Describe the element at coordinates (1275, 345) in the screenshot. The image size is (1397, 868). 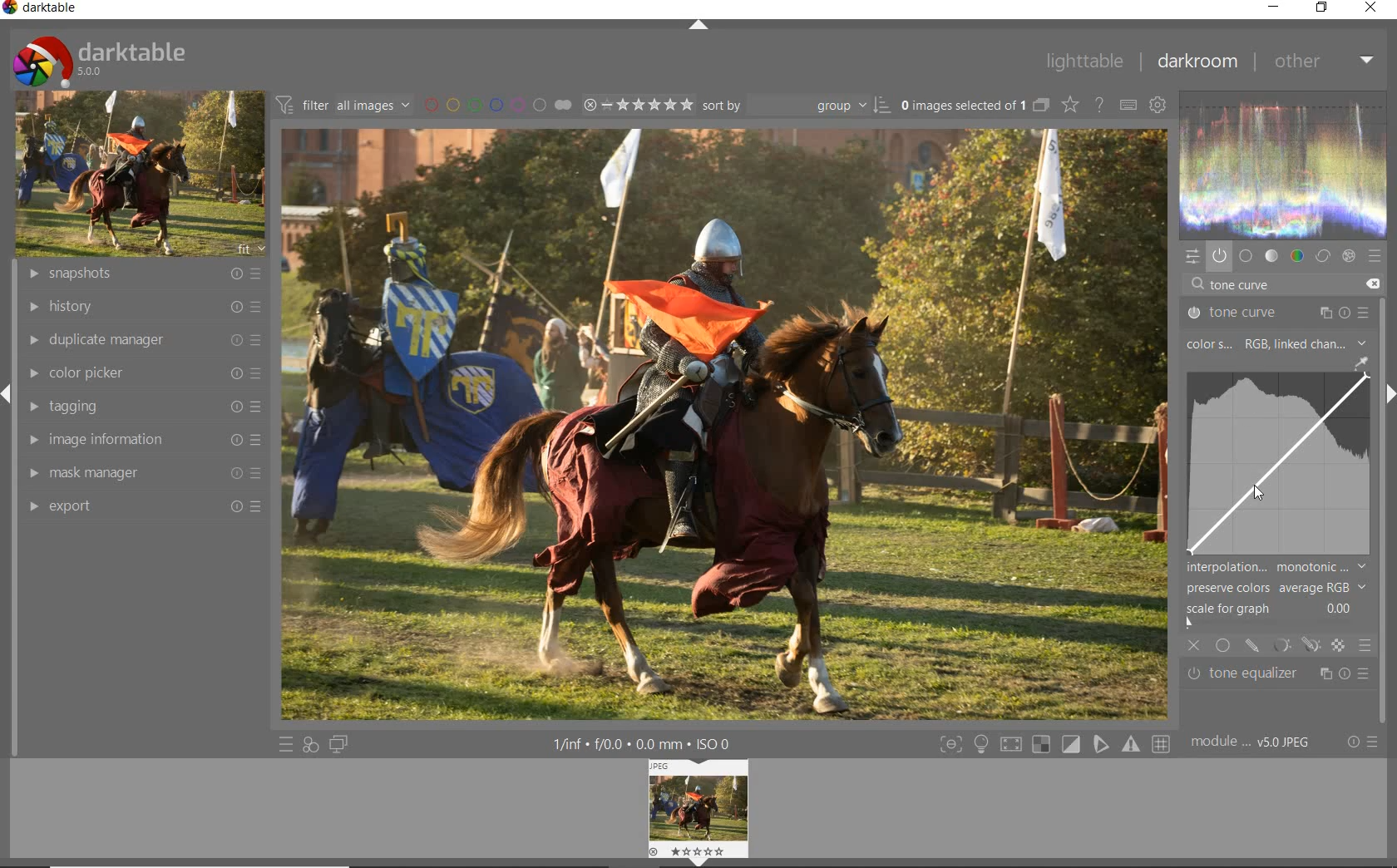
I see `color space` at that location.